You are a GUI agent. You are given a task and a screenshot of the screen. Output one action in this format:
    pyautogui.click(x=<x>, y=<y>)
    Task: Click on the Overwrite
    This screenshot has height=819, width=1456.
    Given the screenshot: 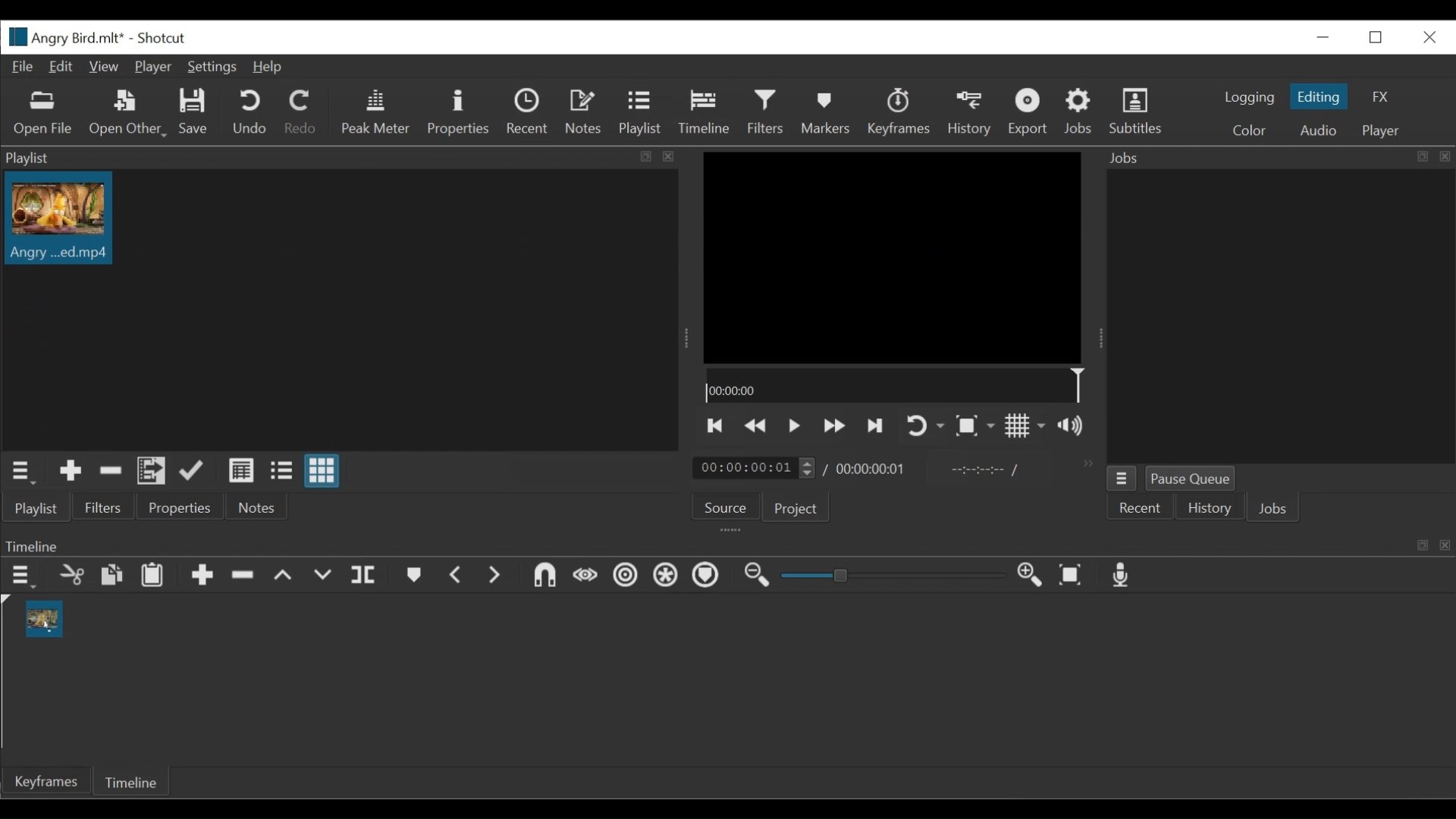 What is the action you would take?
    pyautogui.click(x=325, y=576)
    